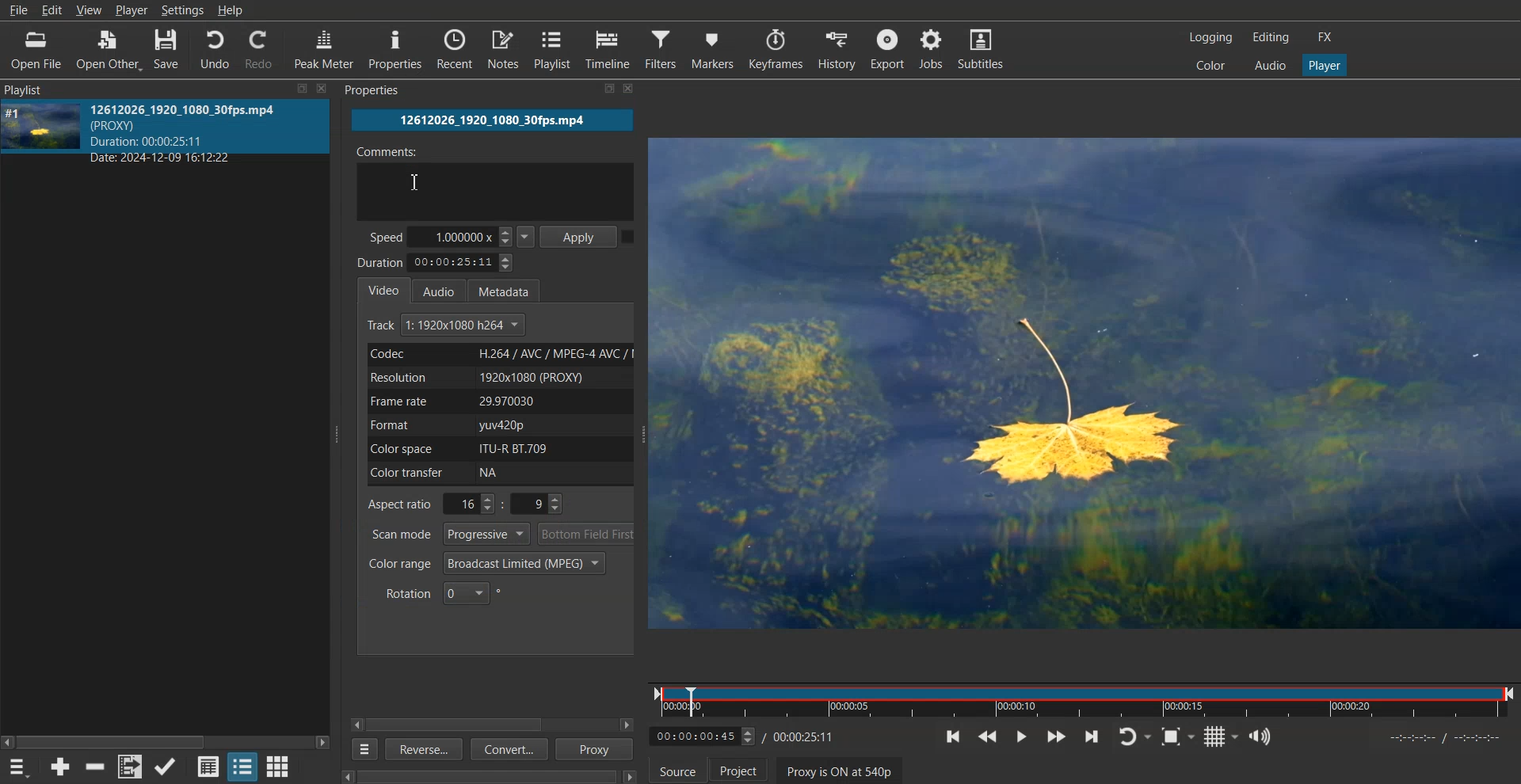  What do you see at coordinates (985, 48) in the screenshot?
I see `Subtitle` at bounding box center [985, 48].